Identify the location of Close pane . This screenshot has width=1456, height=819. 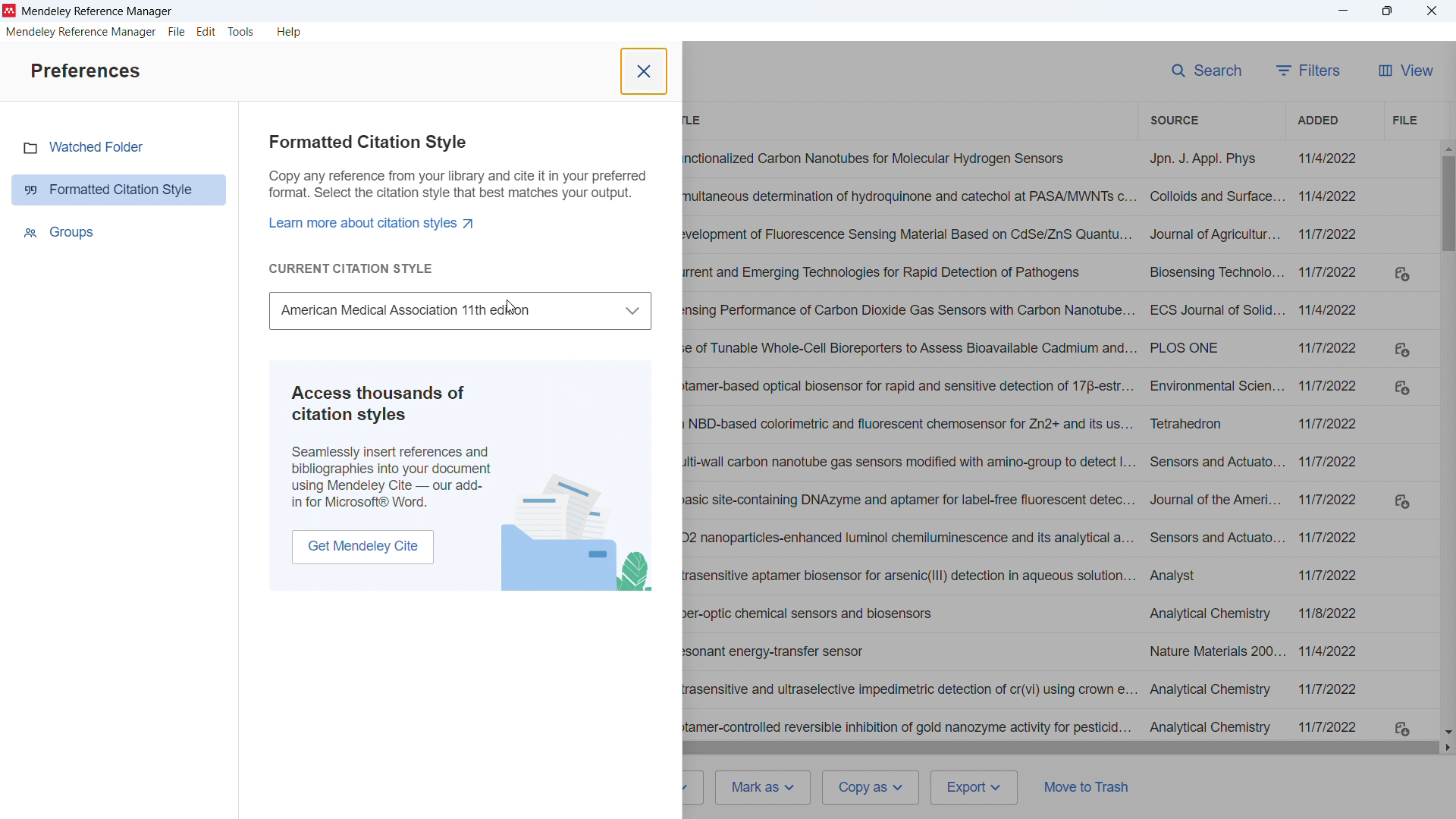
(643, 71).